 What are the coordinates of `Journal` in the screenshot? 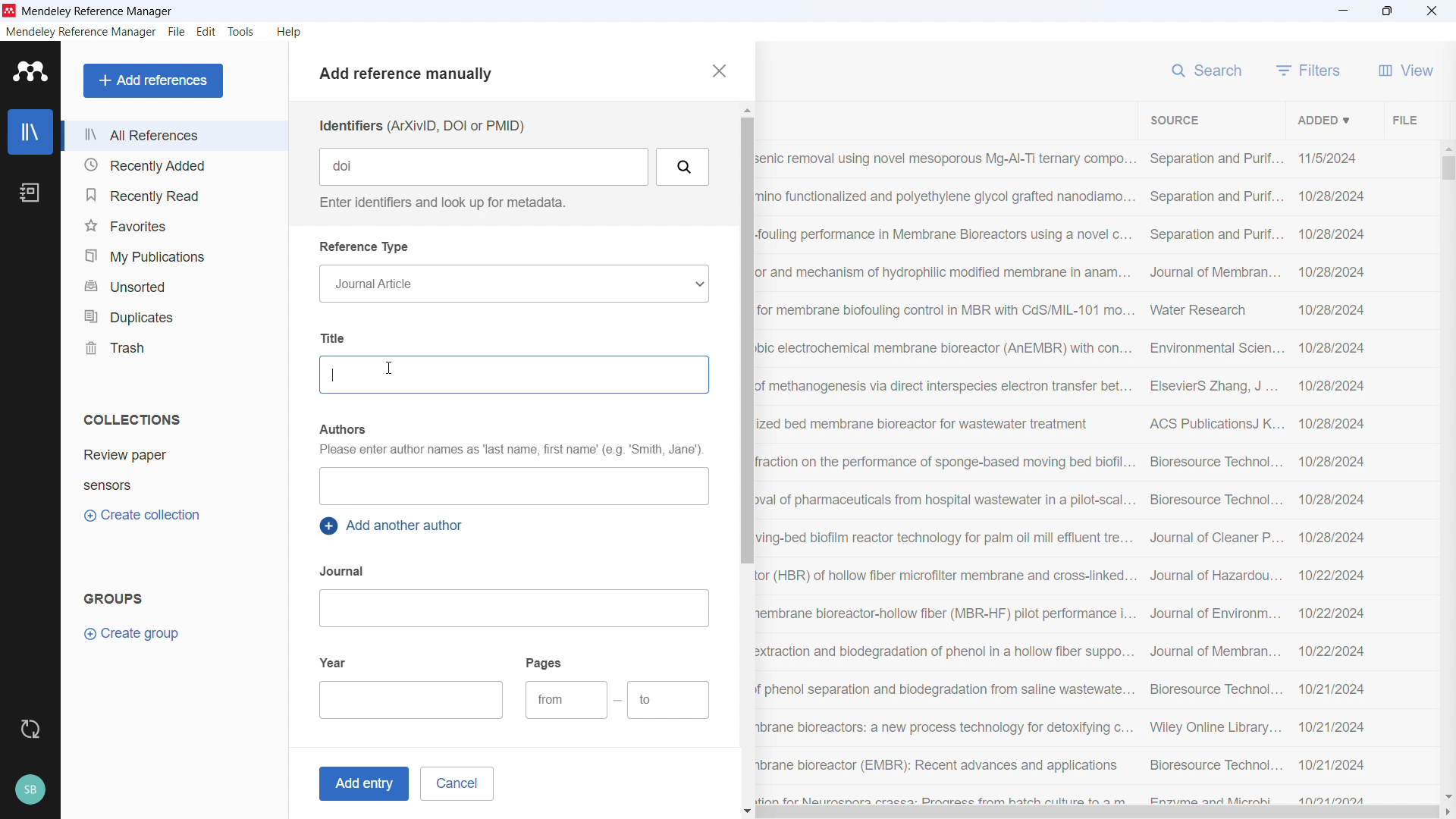 It's located at (344, 571).